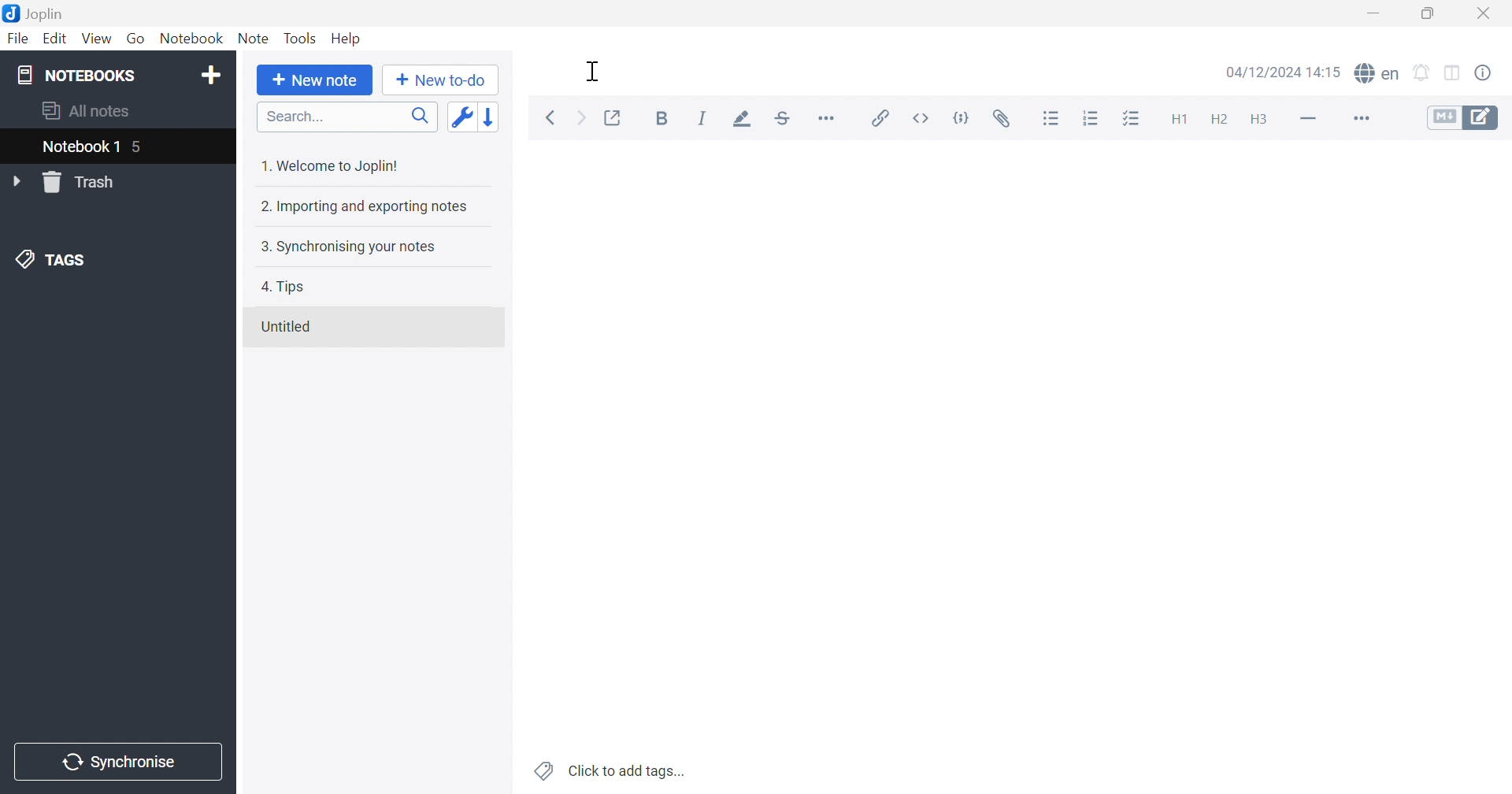 The height and width of the screenshot is (794, 1512). I want to click on Notebook1, so click(78, 146).